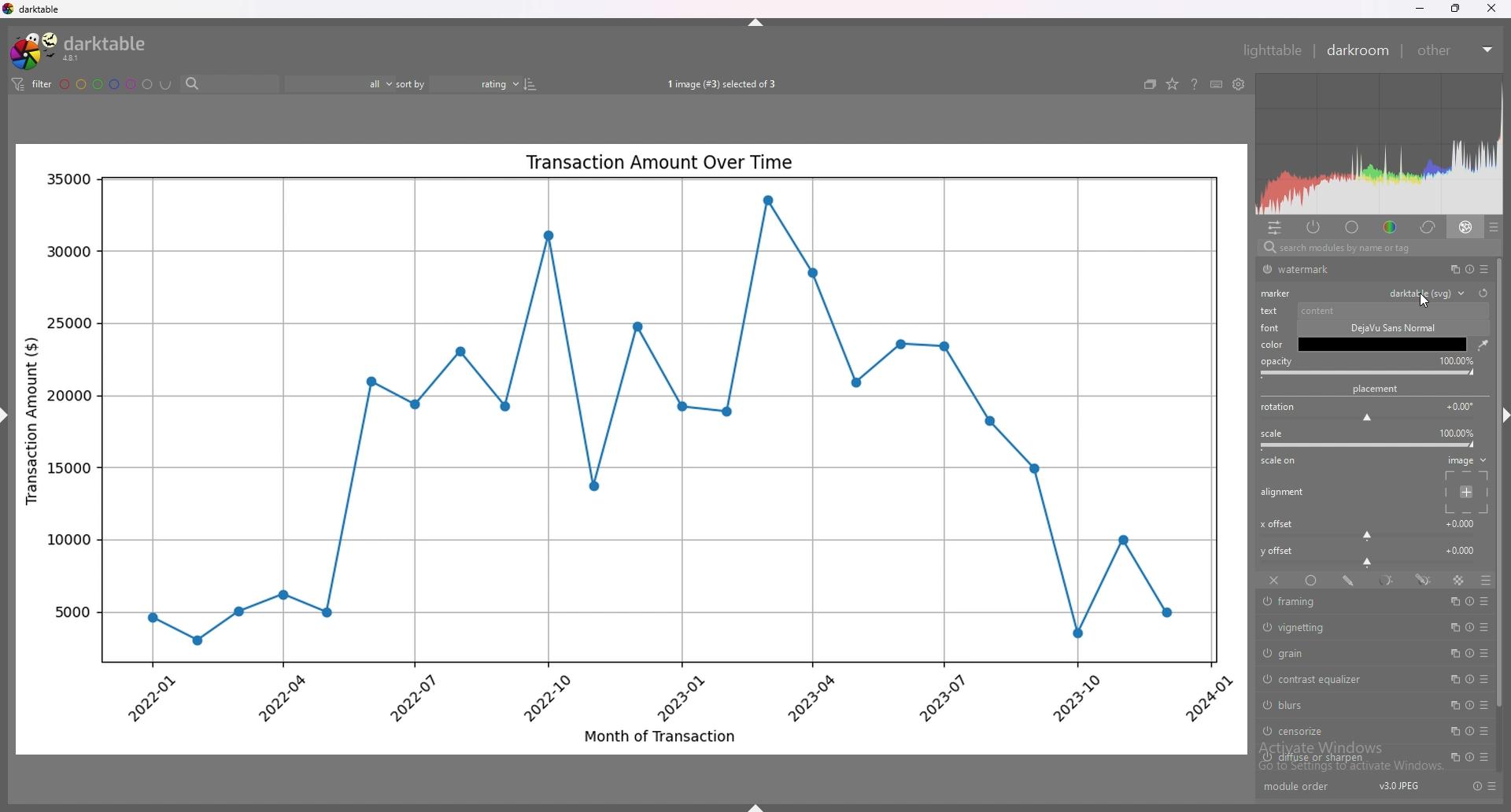 This screenshot has width=1511, height=812. Describe the element at coordinates (1461, 549) in the screenshot. I see `y offset` at that location.